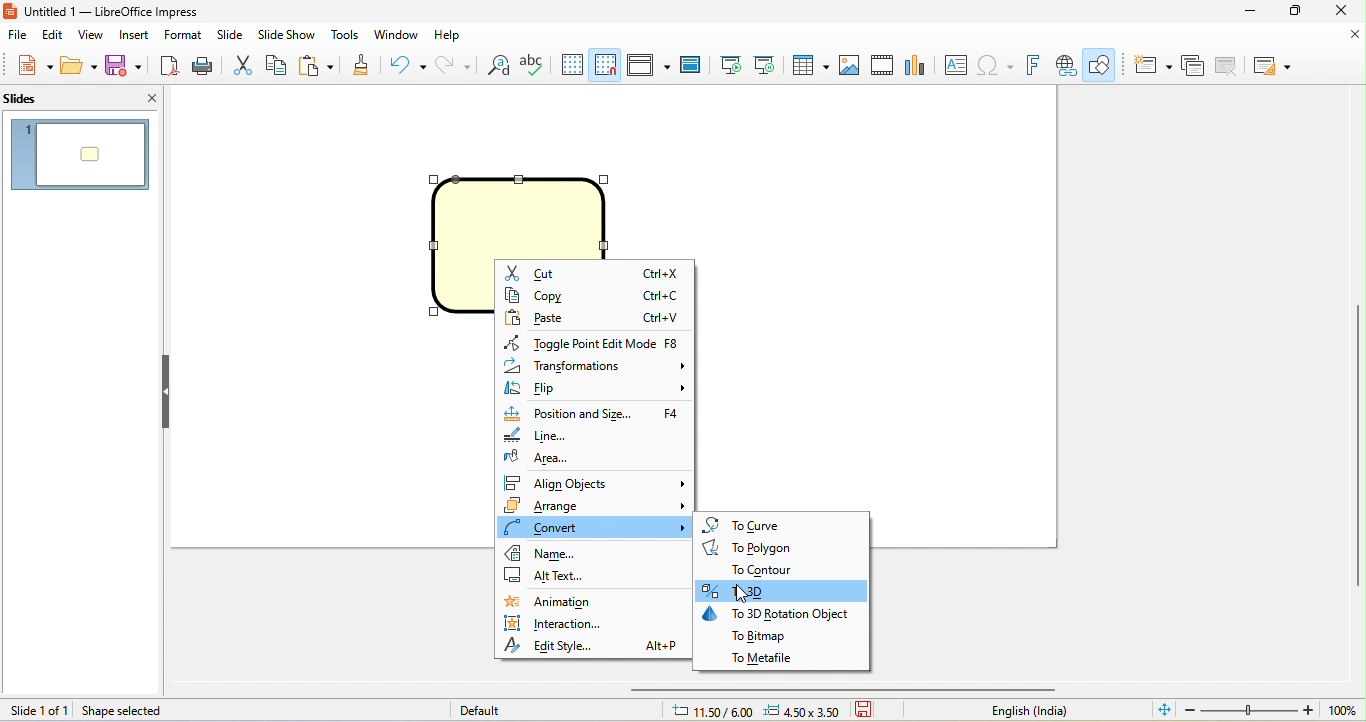  Describe the element at coordinates (450, 64) in the screenshot. I see `redo` at that location.